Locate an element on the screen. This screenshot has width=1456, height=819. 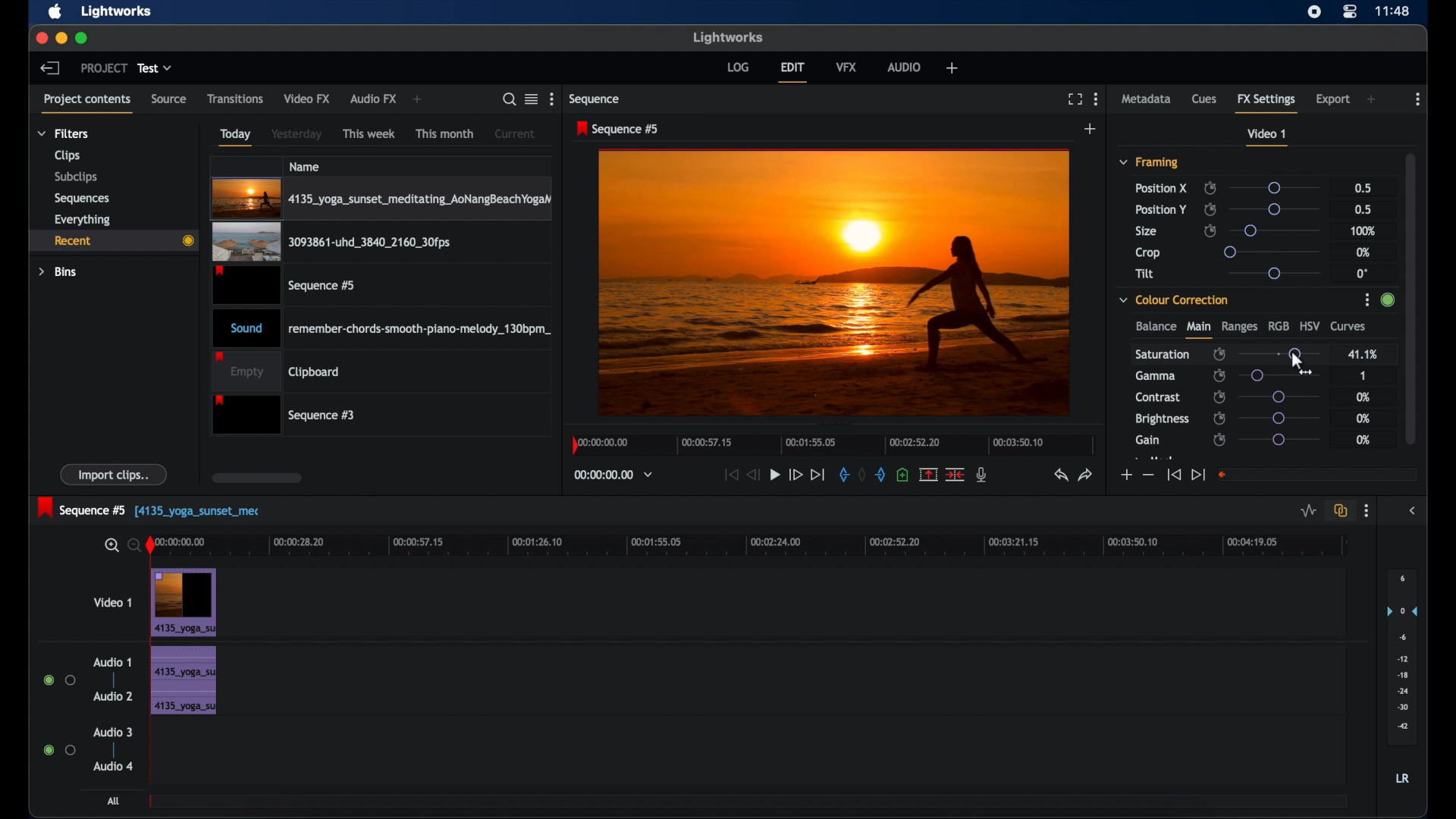
slider is located at coordinates (1273, 251).